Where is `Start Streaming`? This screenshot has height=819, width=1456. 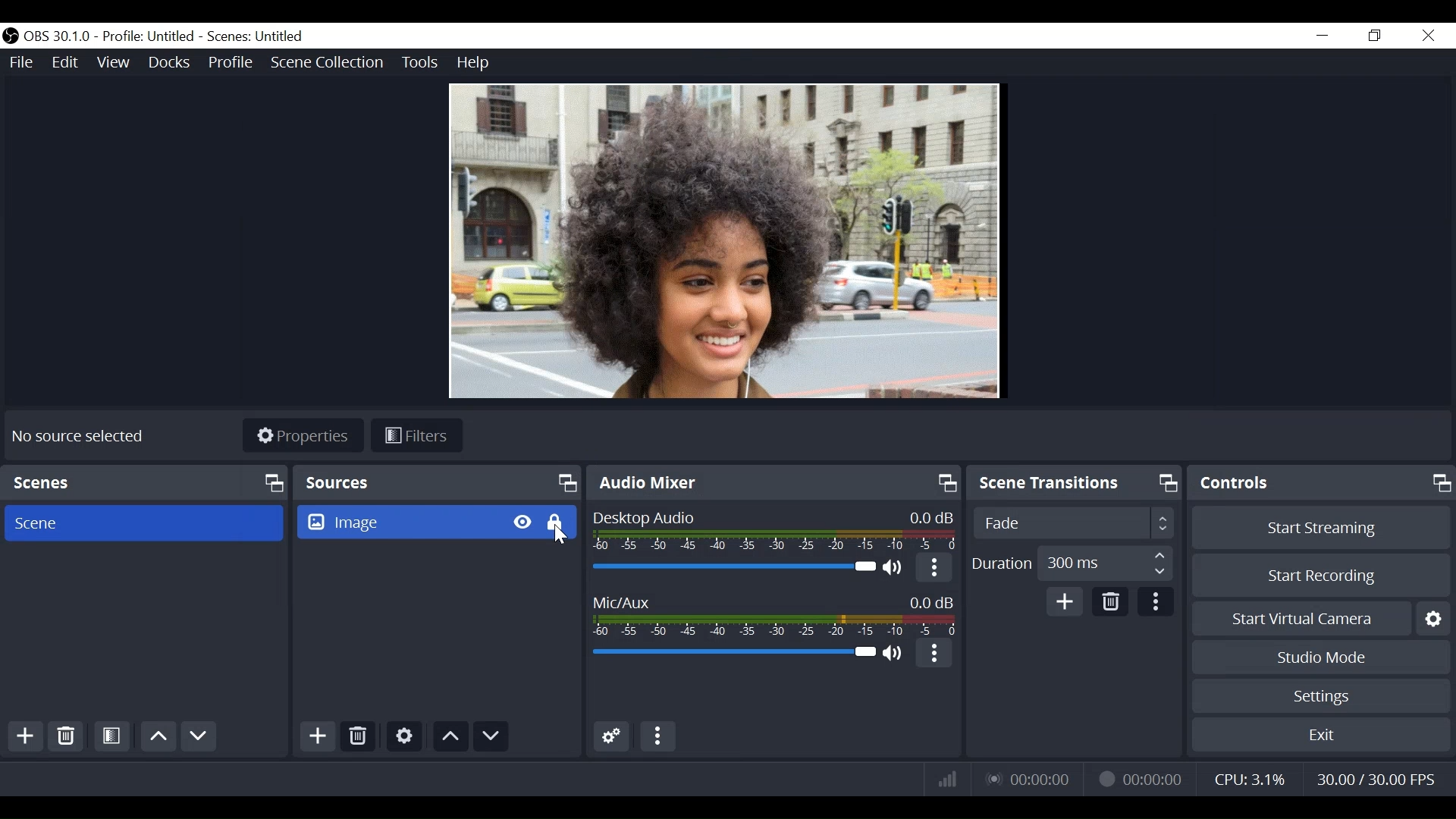
Start Streaming is located at coordinates (1321, 529).